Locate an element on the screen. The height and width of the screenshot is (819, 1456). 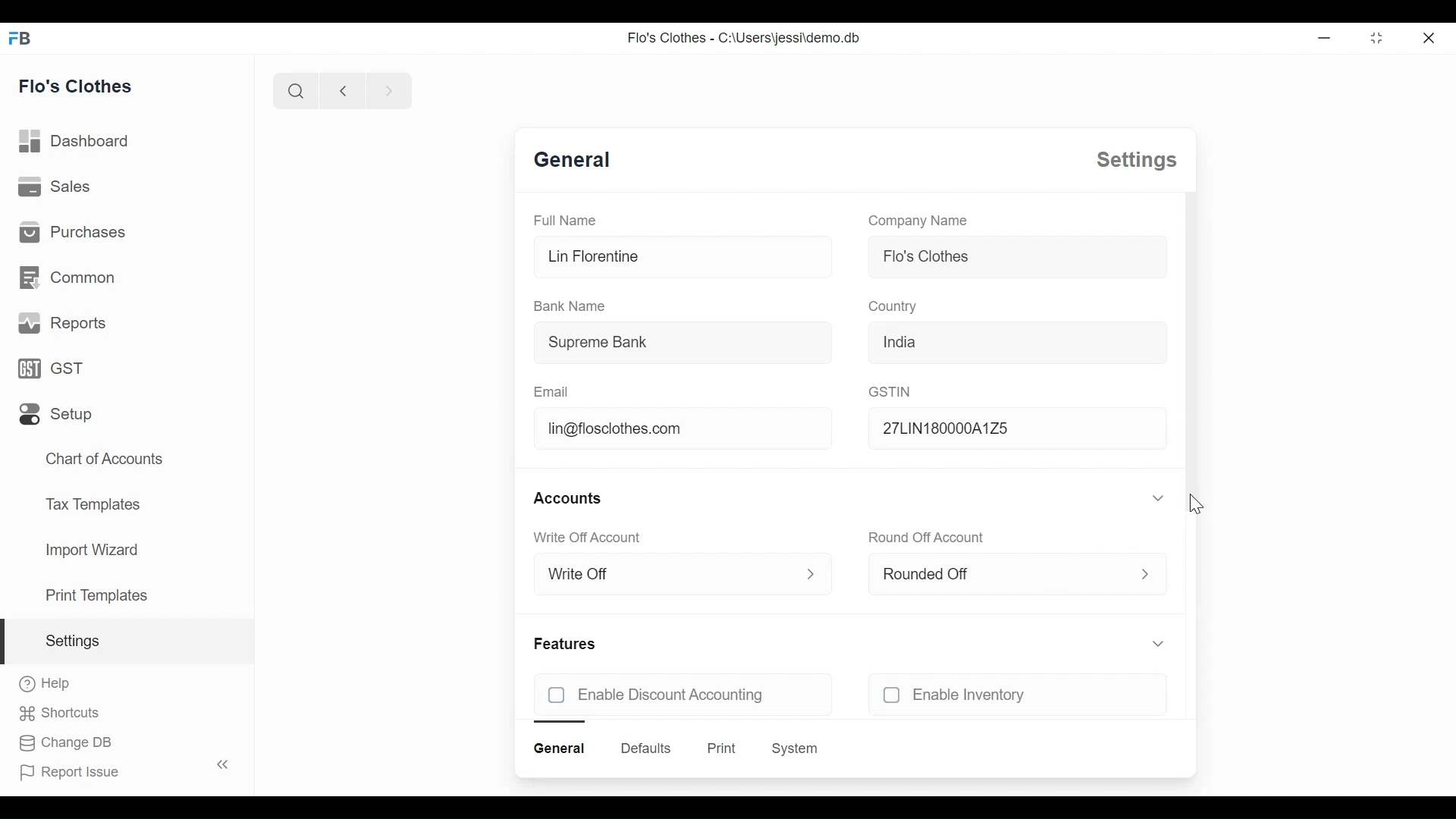
Expand is located at coordinates (1158, 644).